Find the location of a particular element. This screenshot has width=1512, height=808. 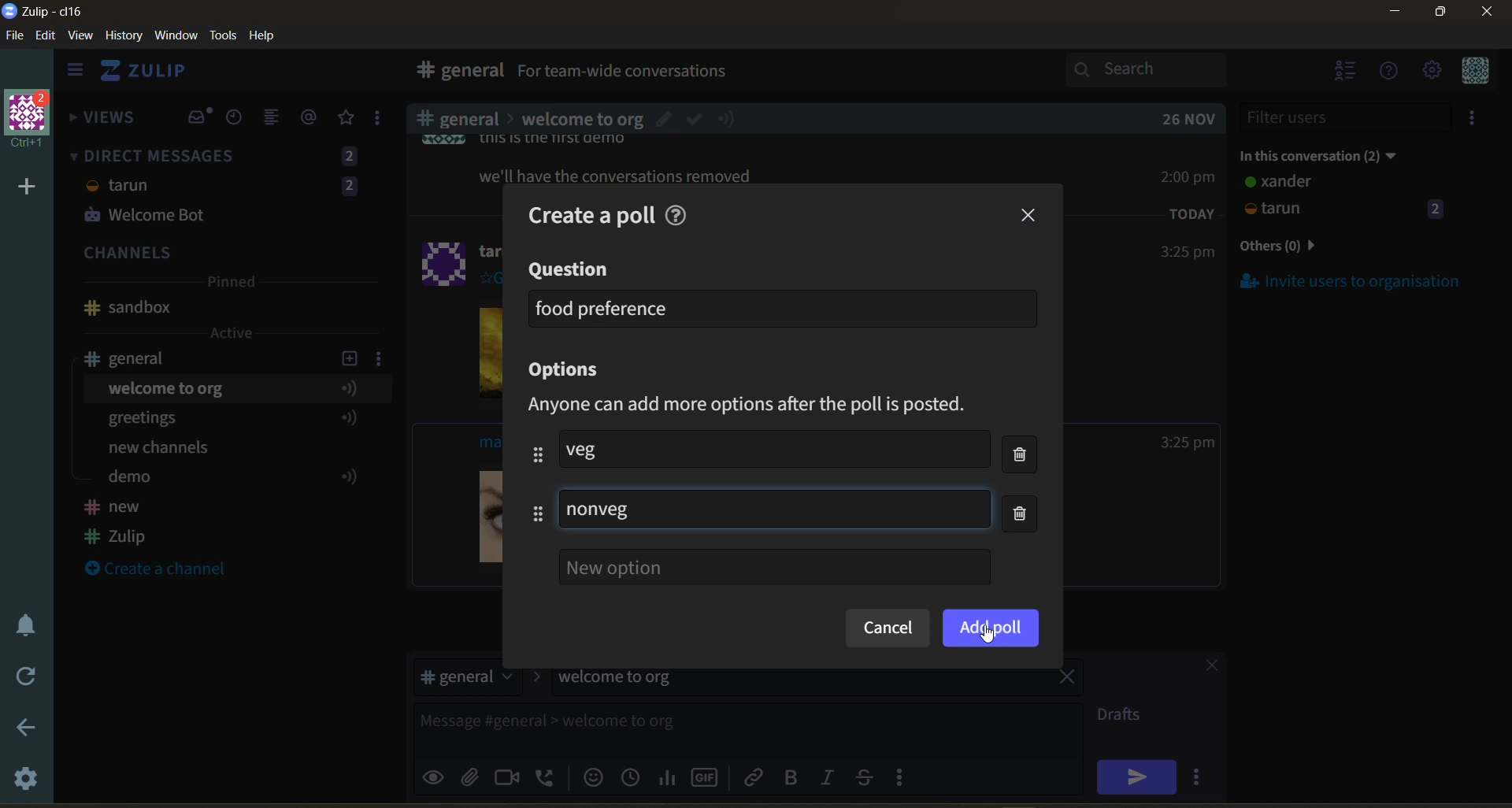

edit is located at coordinates (46, 37).